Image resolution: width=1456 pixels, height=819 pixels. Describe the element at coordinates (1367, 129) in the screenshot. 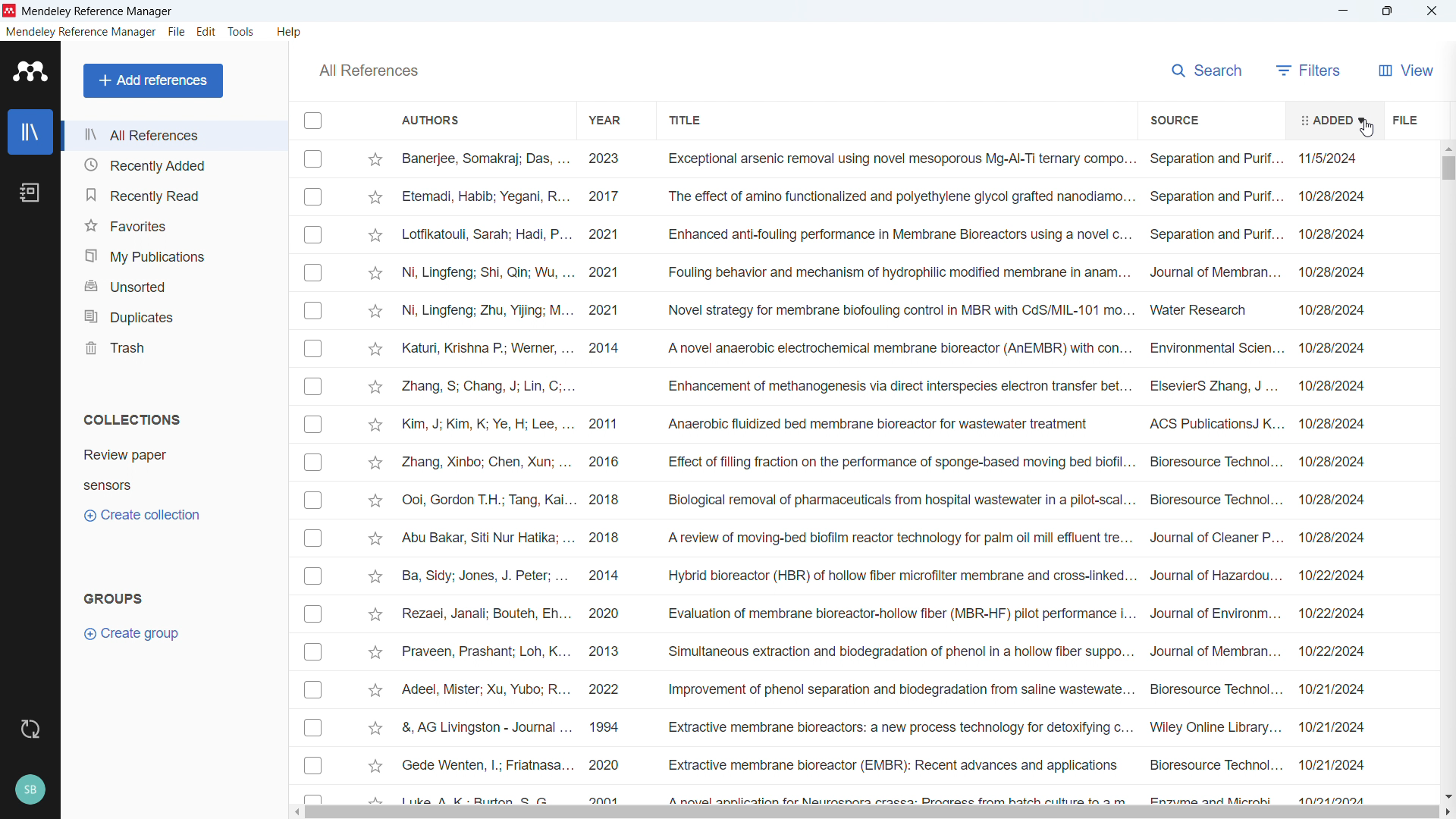

I see `Cursor ` at that location.